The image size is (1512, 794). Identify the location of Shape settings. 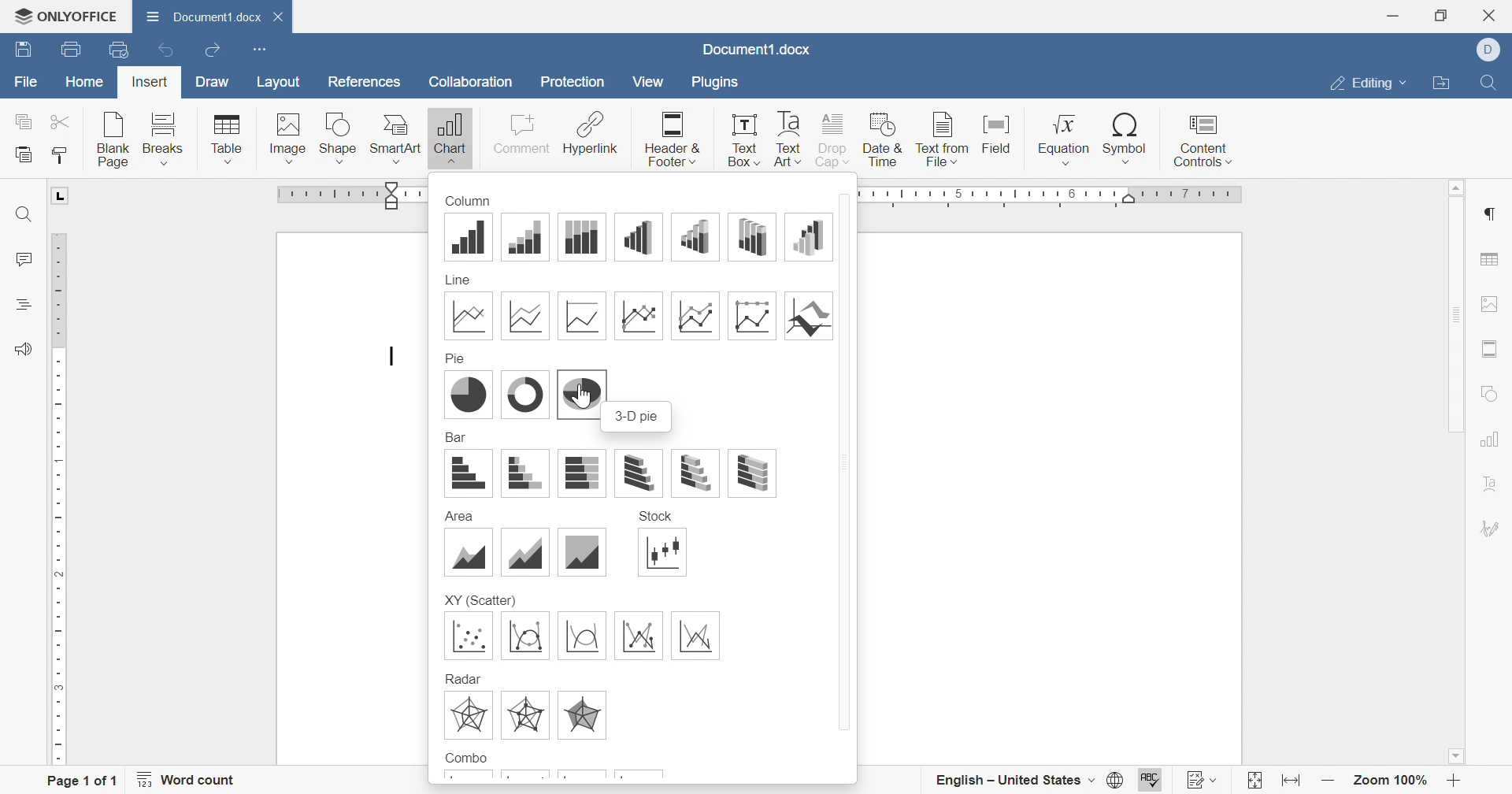
(1494, 394).